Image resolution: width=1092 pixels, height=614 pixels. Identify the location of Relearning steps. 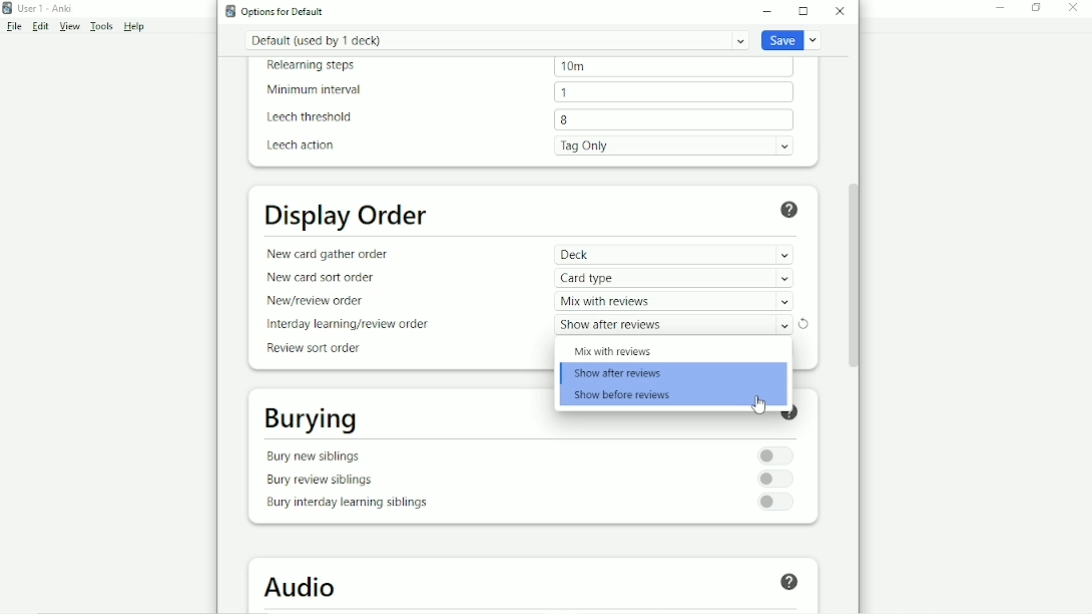
(313, 67).